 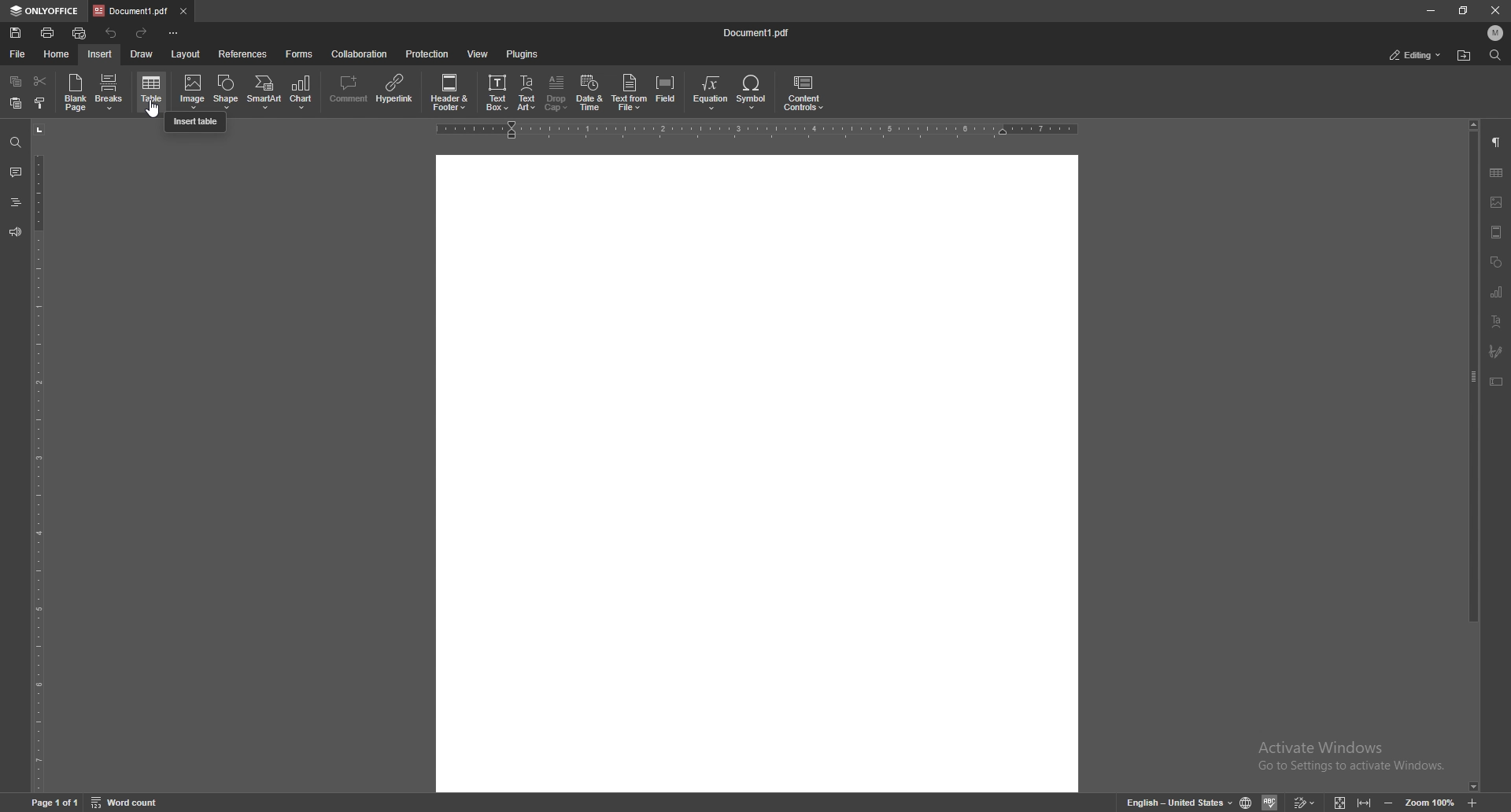 What do you see at coordinates (1496, 55) in the screenshot?
I see `find` at bounding box center [1496, 55].